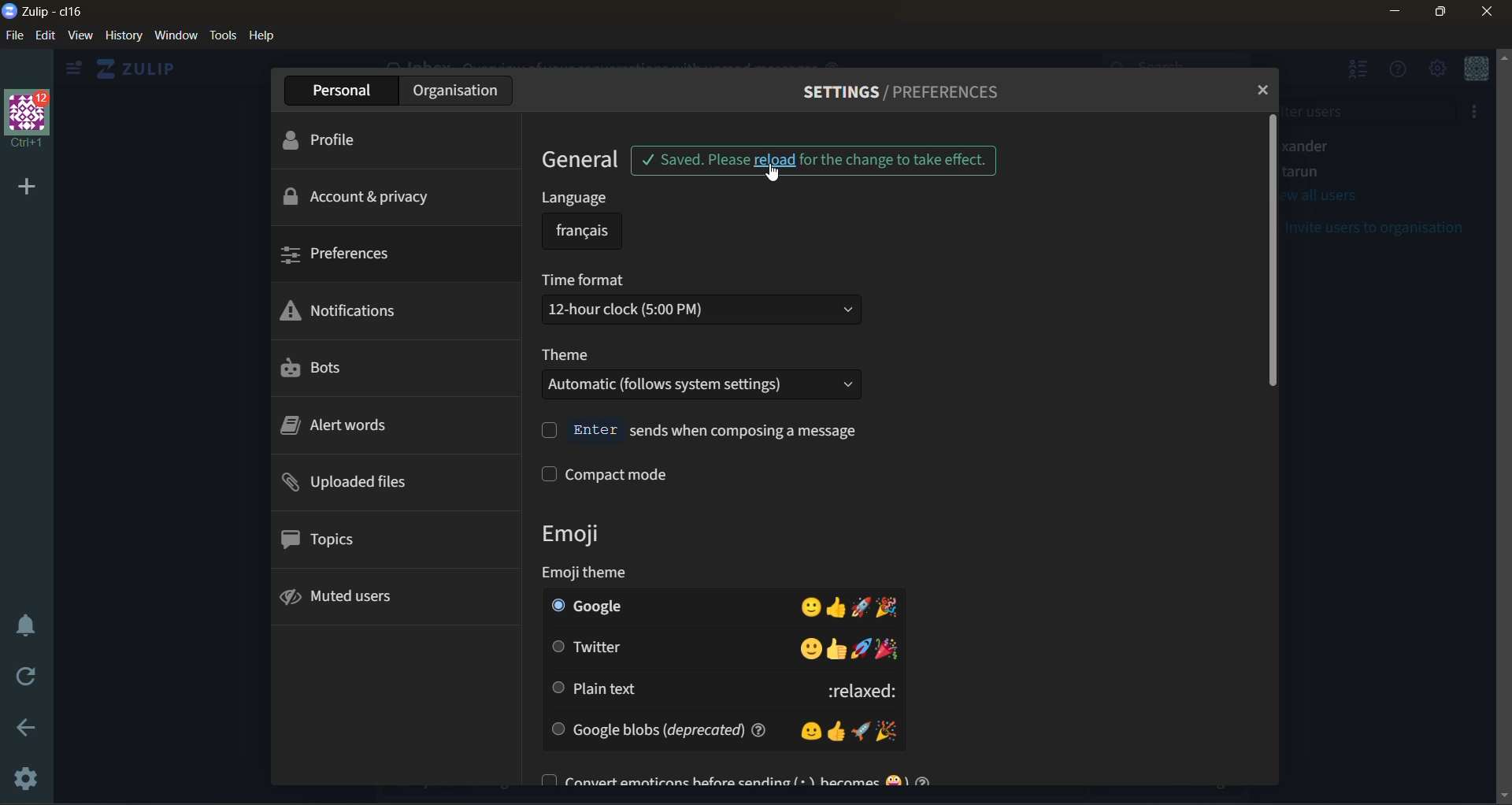 This screenshot has height=805, width=1512. I want to click on reload, so click(20, 678).